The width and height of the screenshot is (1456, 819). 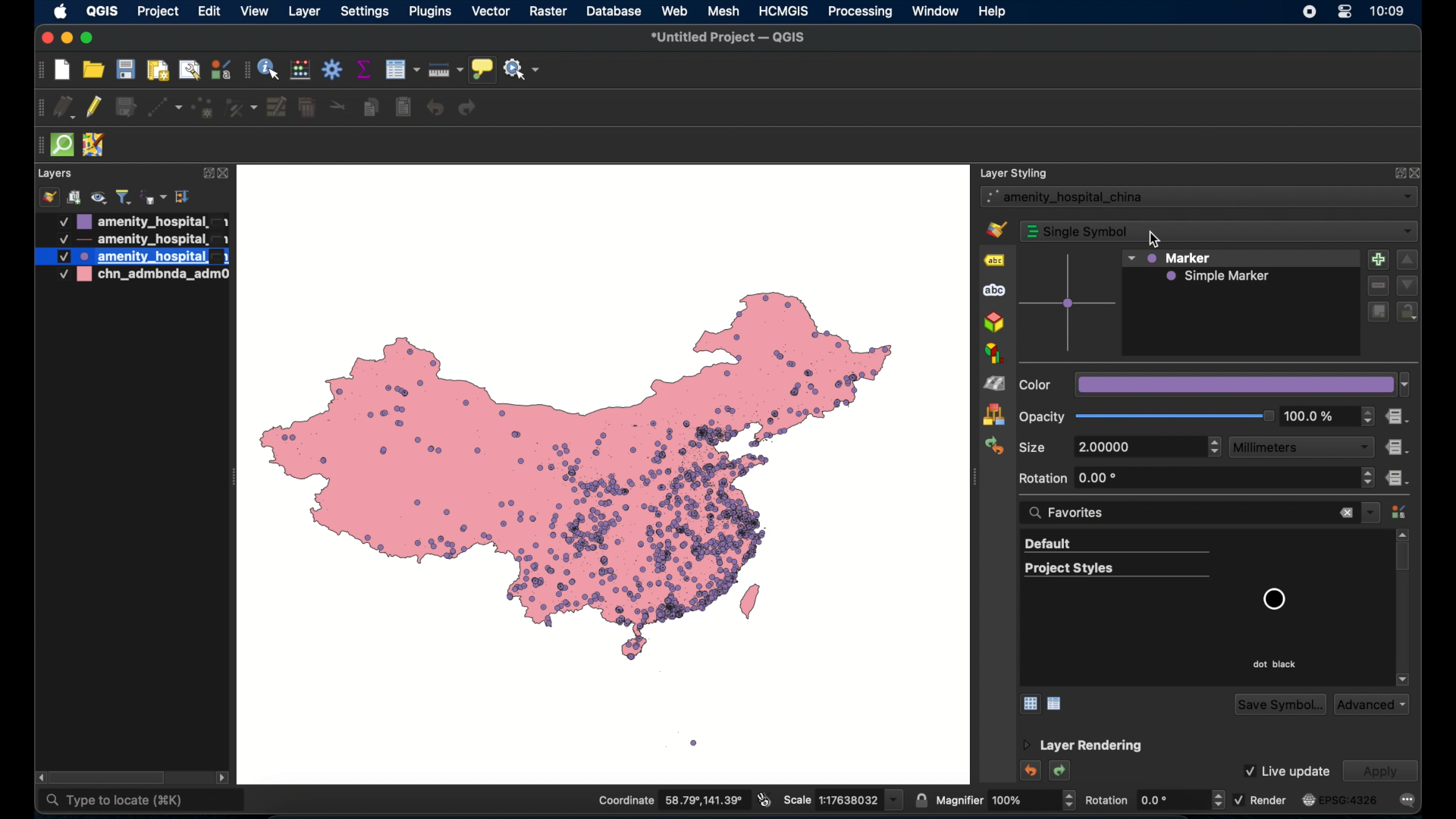 What do you see at coordinates (224, 778) in the screenshot?
I see `scroll right arrow` at bounding box center [224, 778].